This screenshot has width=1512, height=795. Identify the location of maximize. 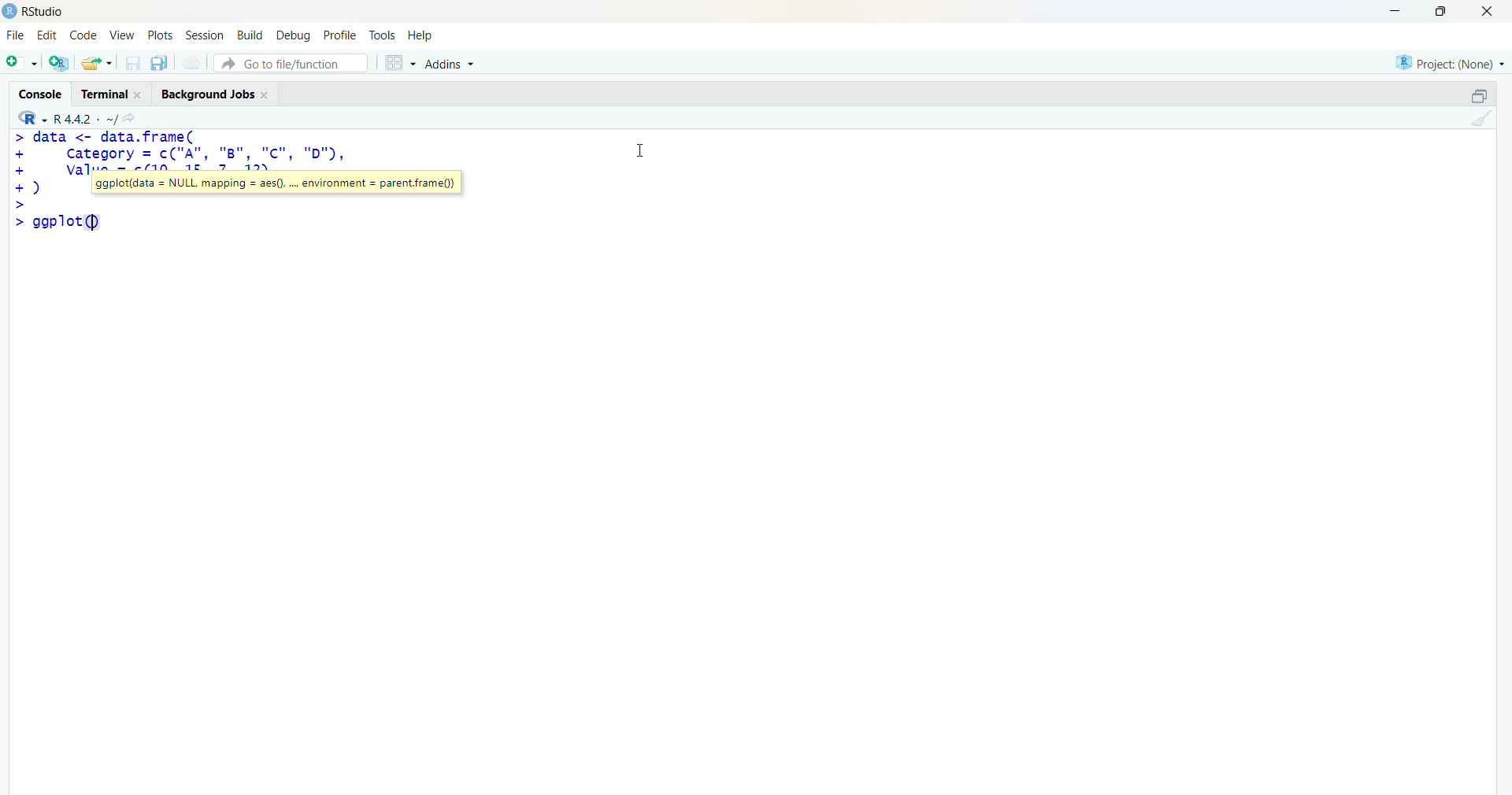
(1446, 11).